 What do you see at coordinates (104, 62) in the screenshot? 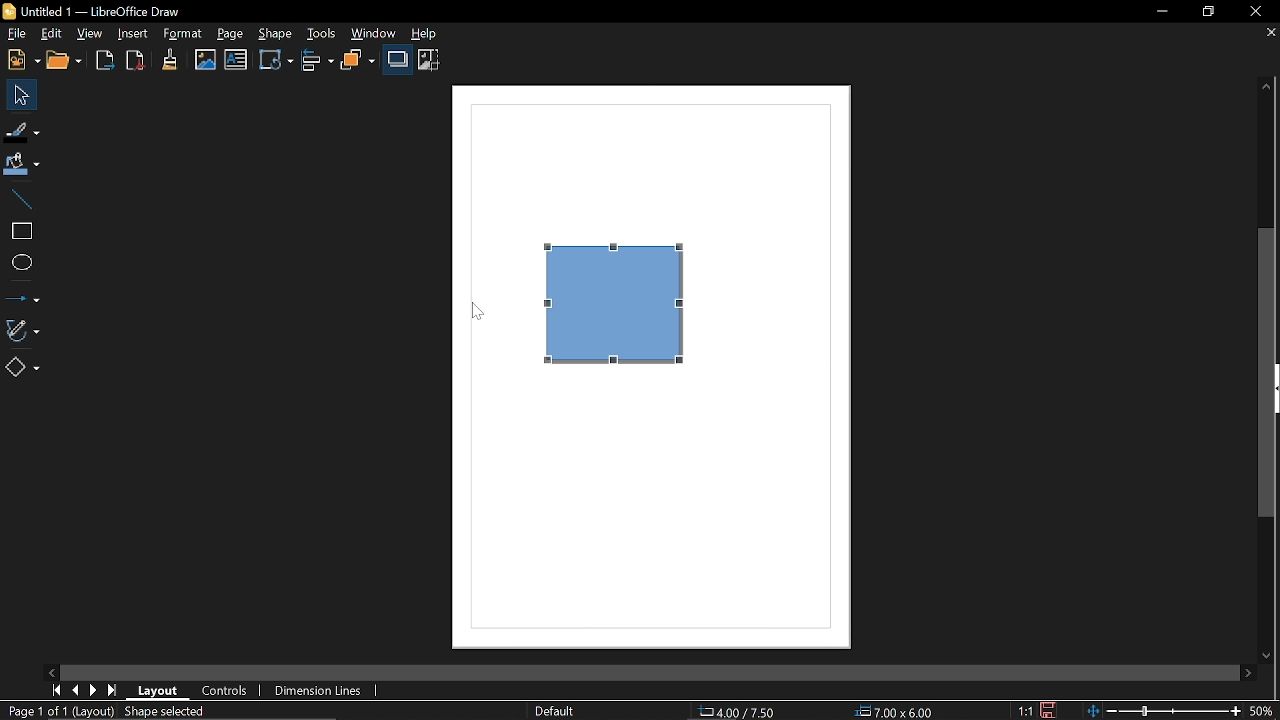
I see `Export` at bounding box center [104, 62].